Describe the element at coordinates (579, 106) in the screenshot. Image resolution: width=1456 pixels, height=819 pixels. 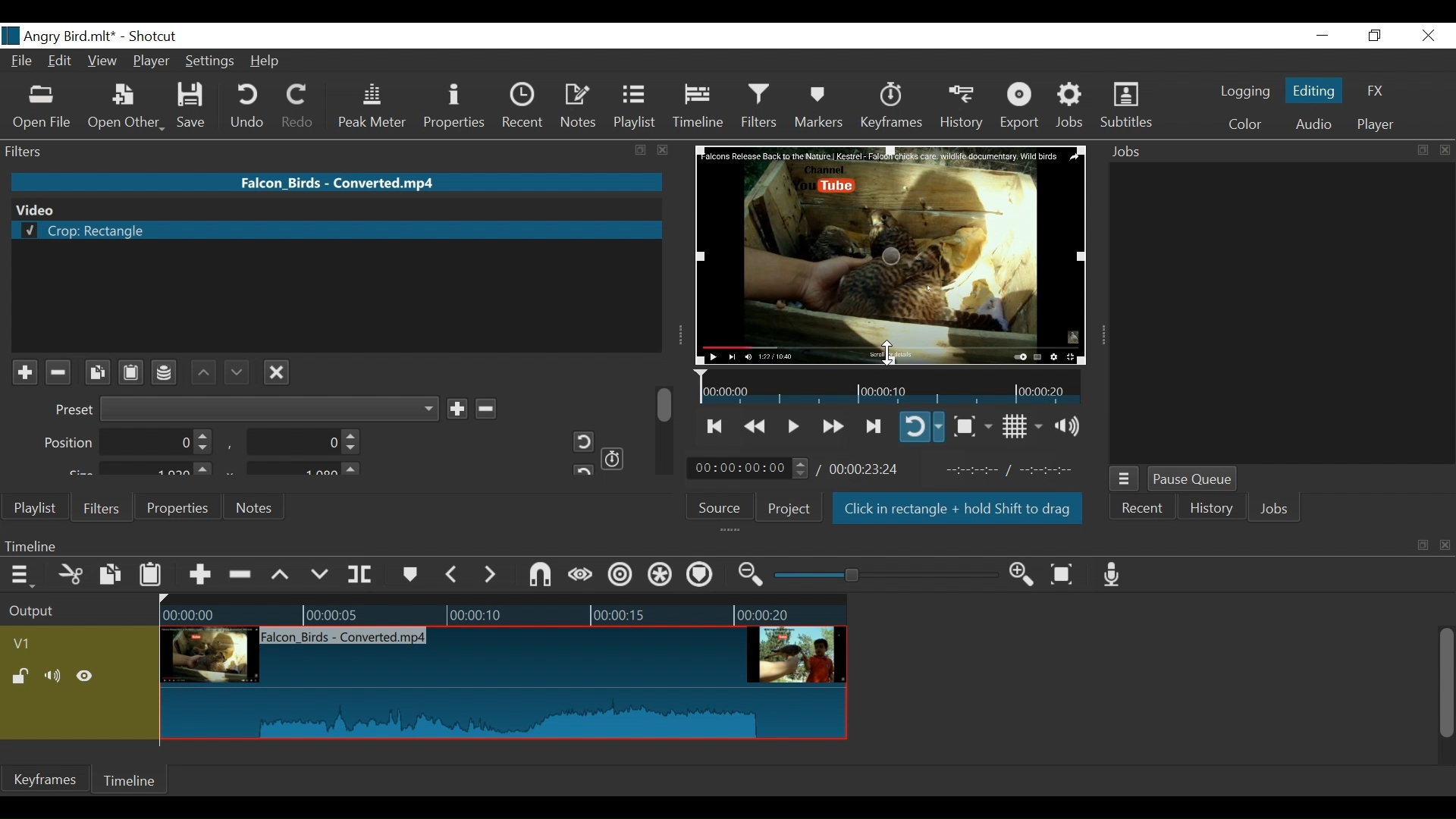
I see `Notes` at that location.